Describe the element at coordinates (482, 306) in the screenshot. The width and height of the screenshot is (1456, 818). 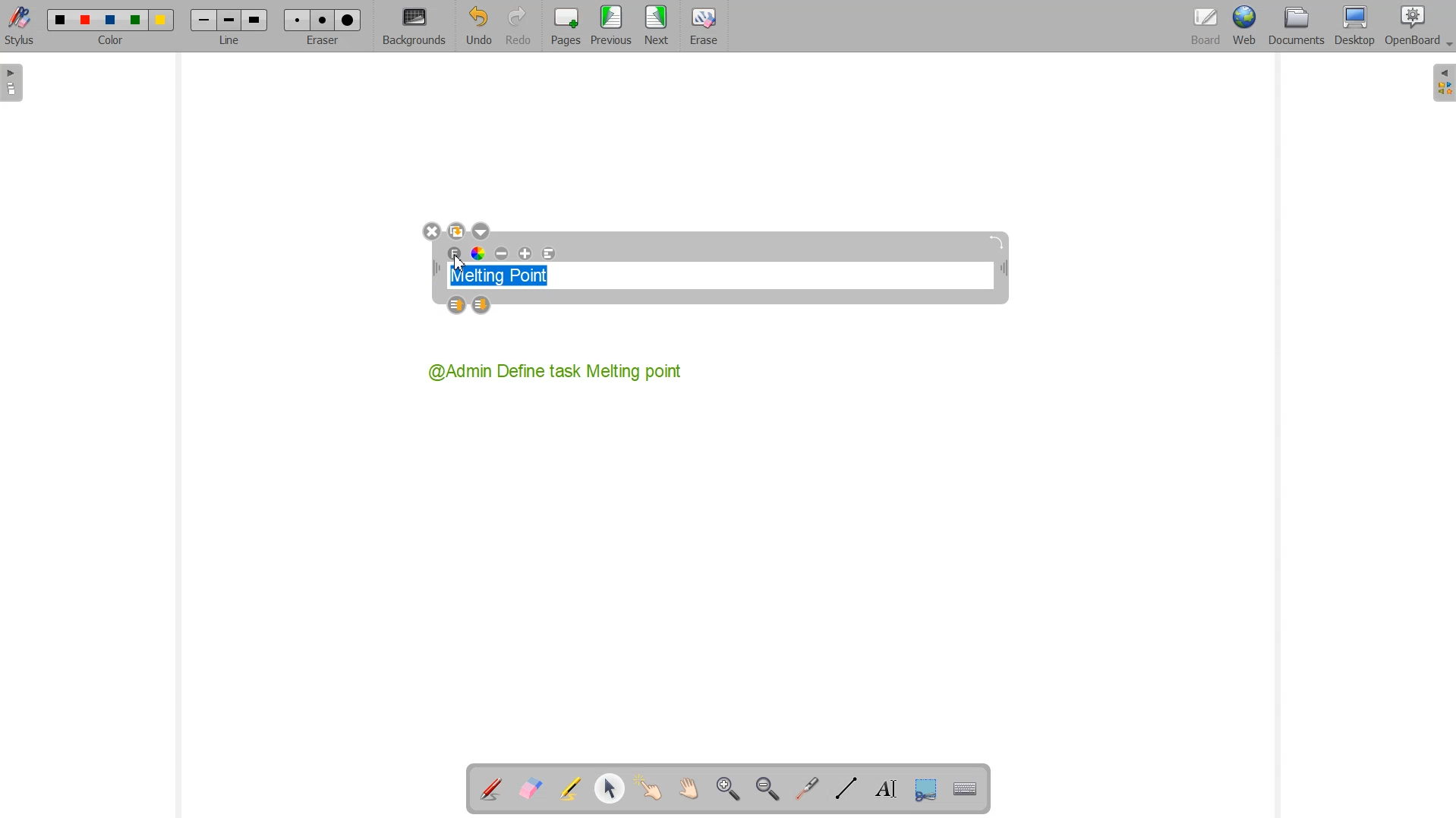
I see `Layer down` at that location.